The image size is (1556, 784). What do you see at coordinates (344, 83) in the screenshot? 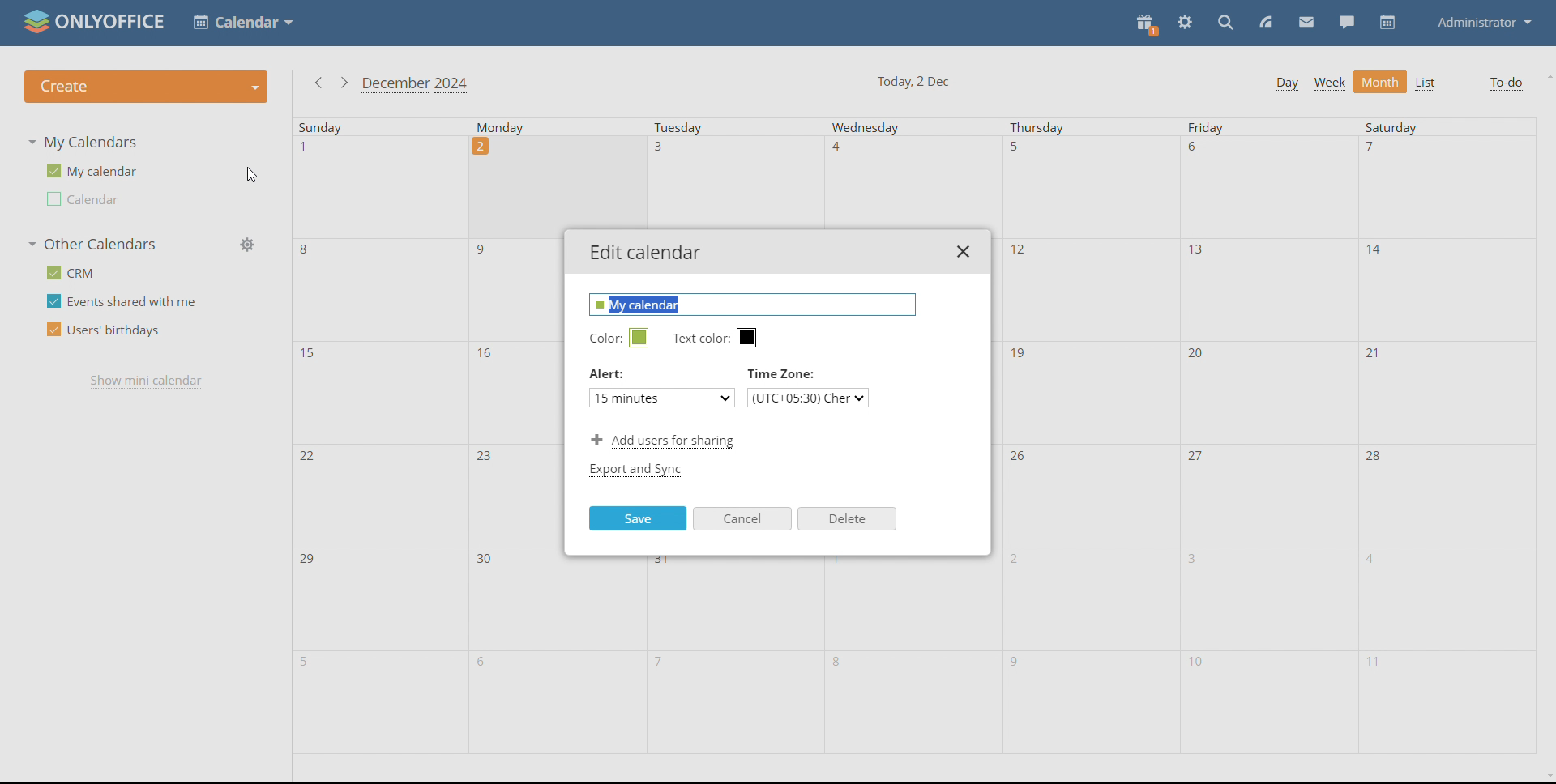
I see `next month` at bounding box center [344, 83].